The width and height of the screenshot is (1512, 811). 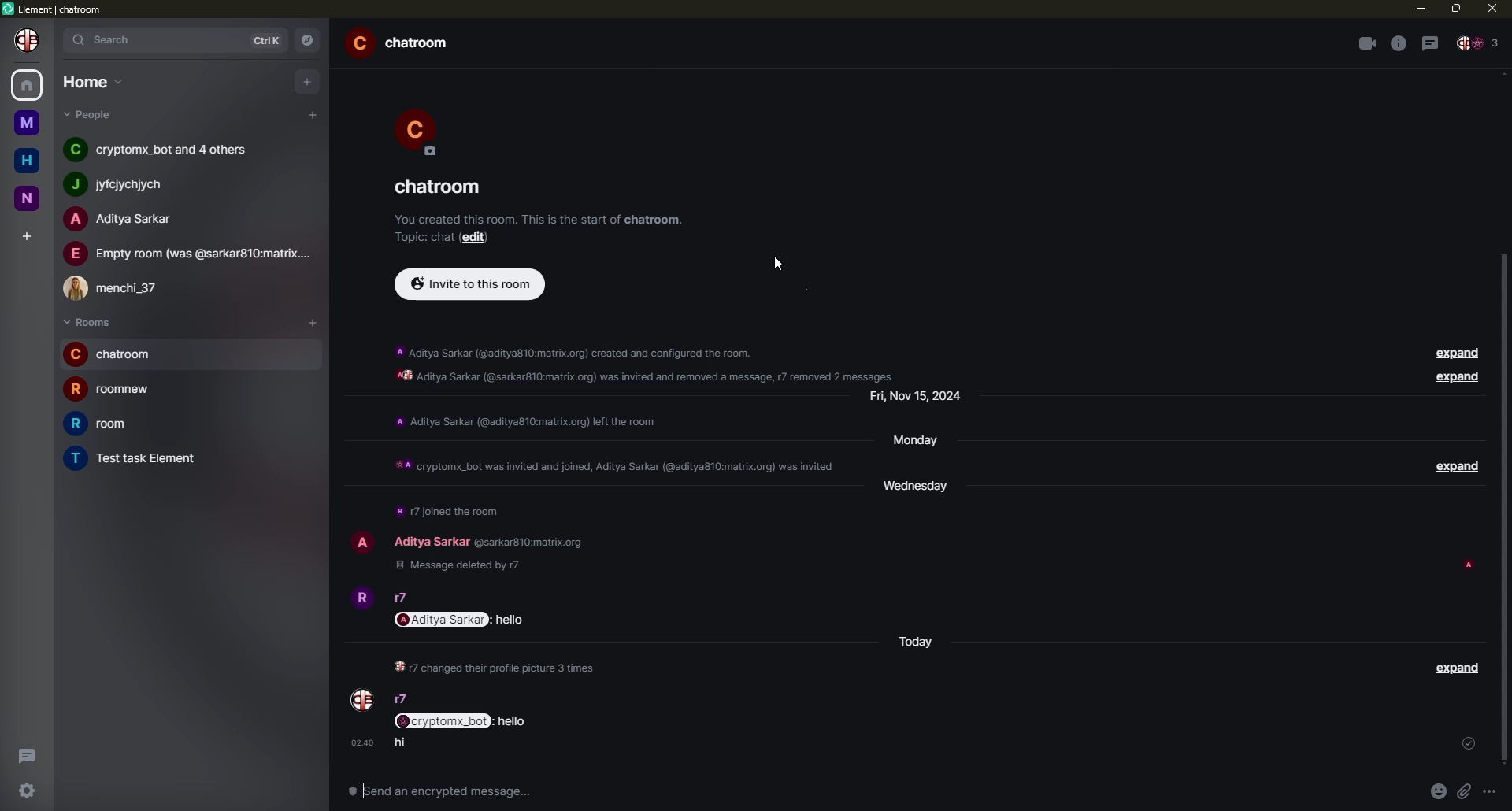 I want to click on day, so click(x=920, y=490).